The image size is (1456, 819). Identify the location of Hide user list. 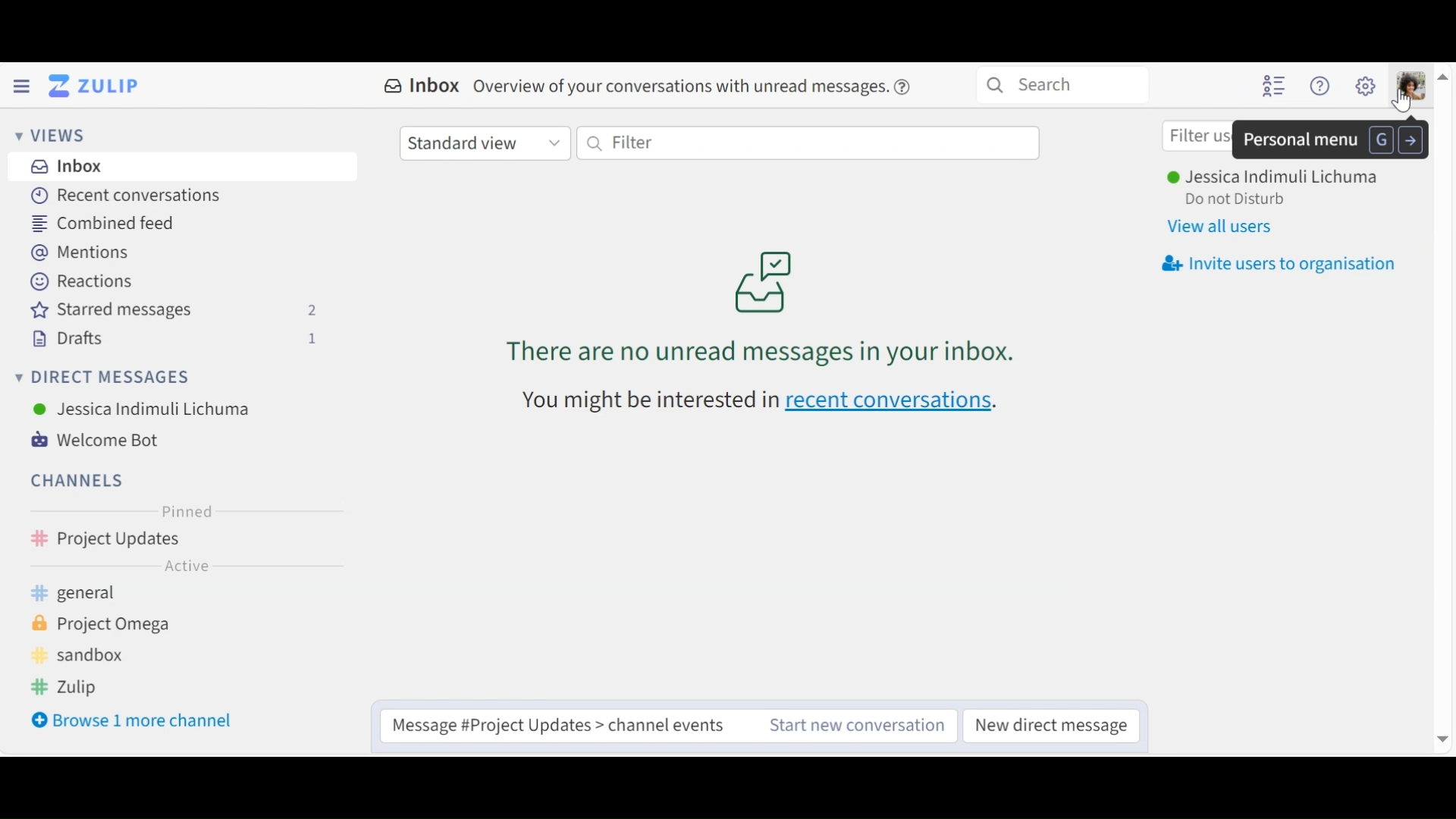
(1275, 87).